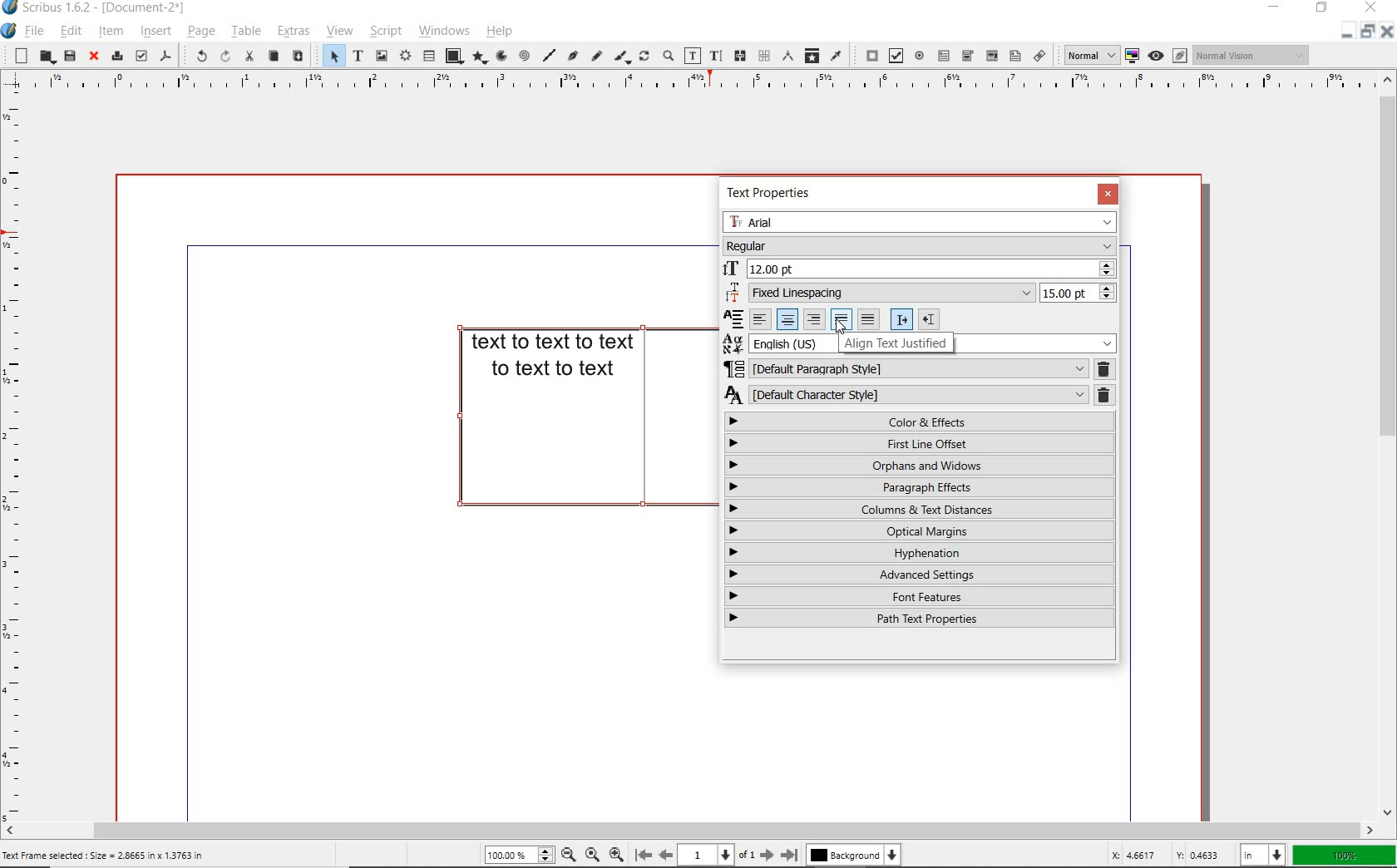 This screenshot has width=1397, height=868. I want to click on FONT SIZE, so click(921, 267).